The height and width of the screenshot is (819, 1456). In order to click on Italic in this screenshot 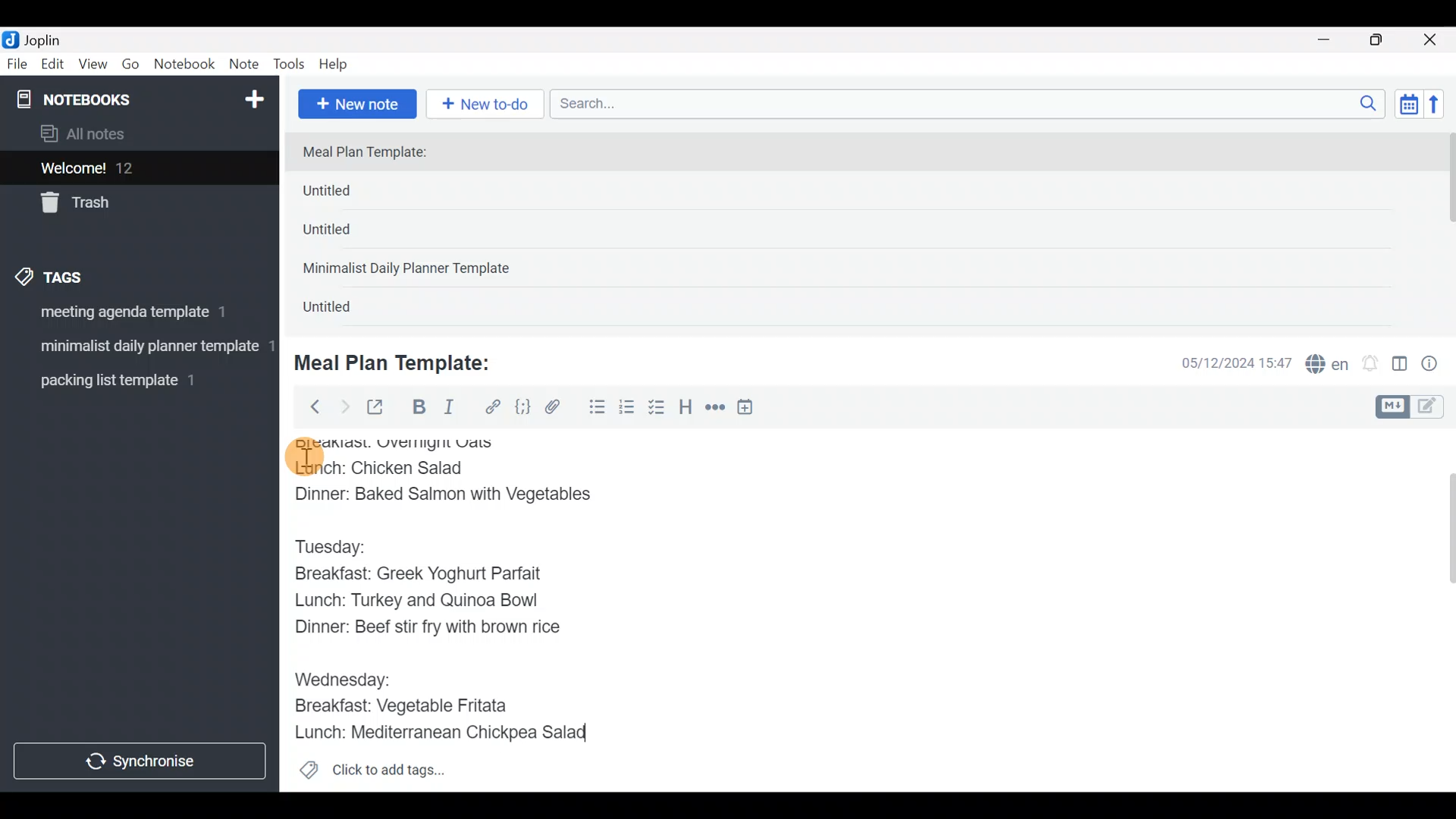, I will do `click(447, 410)`.